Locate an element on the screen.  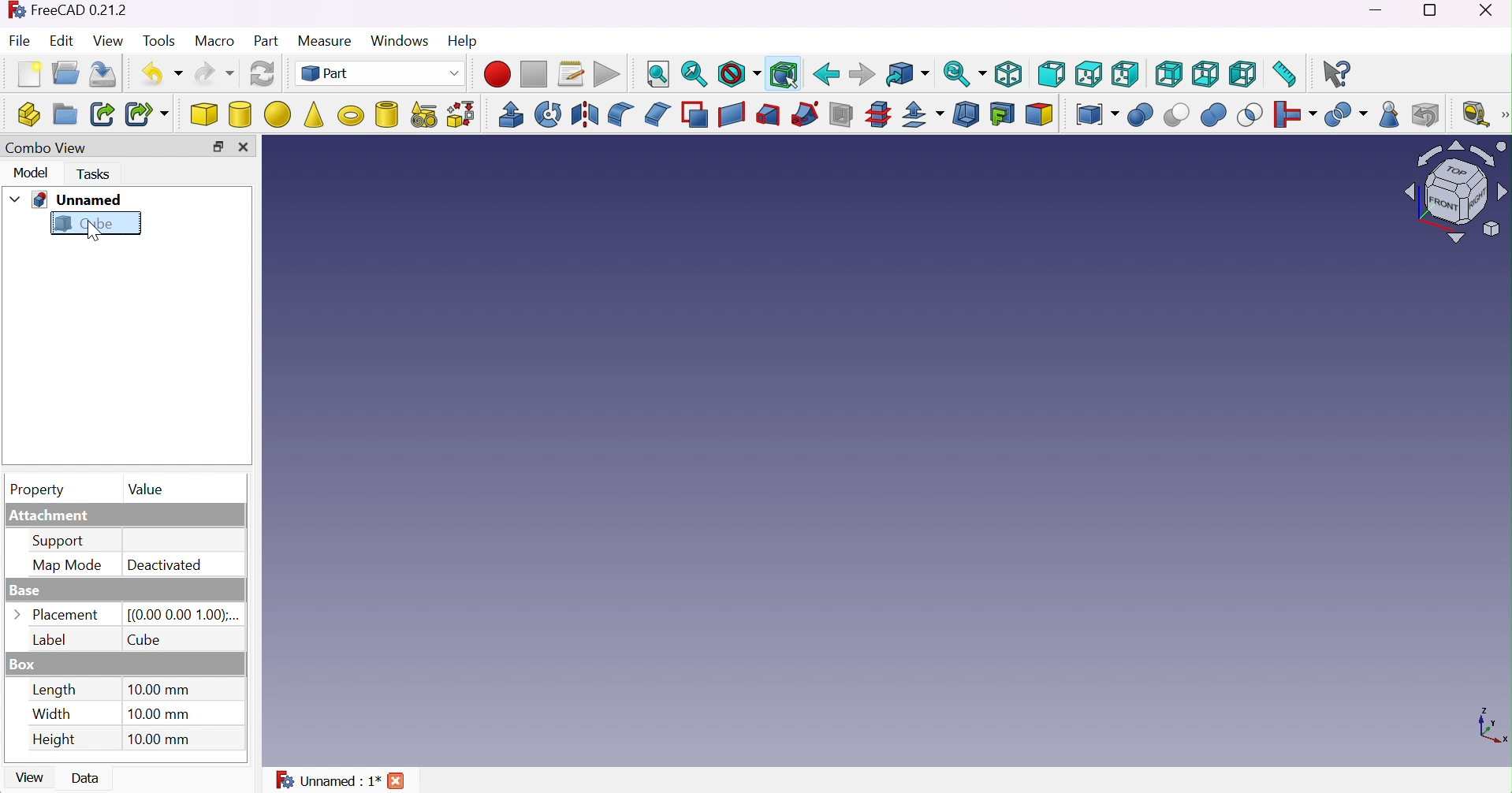
10.00 mm is located at coordinates (160, 689).